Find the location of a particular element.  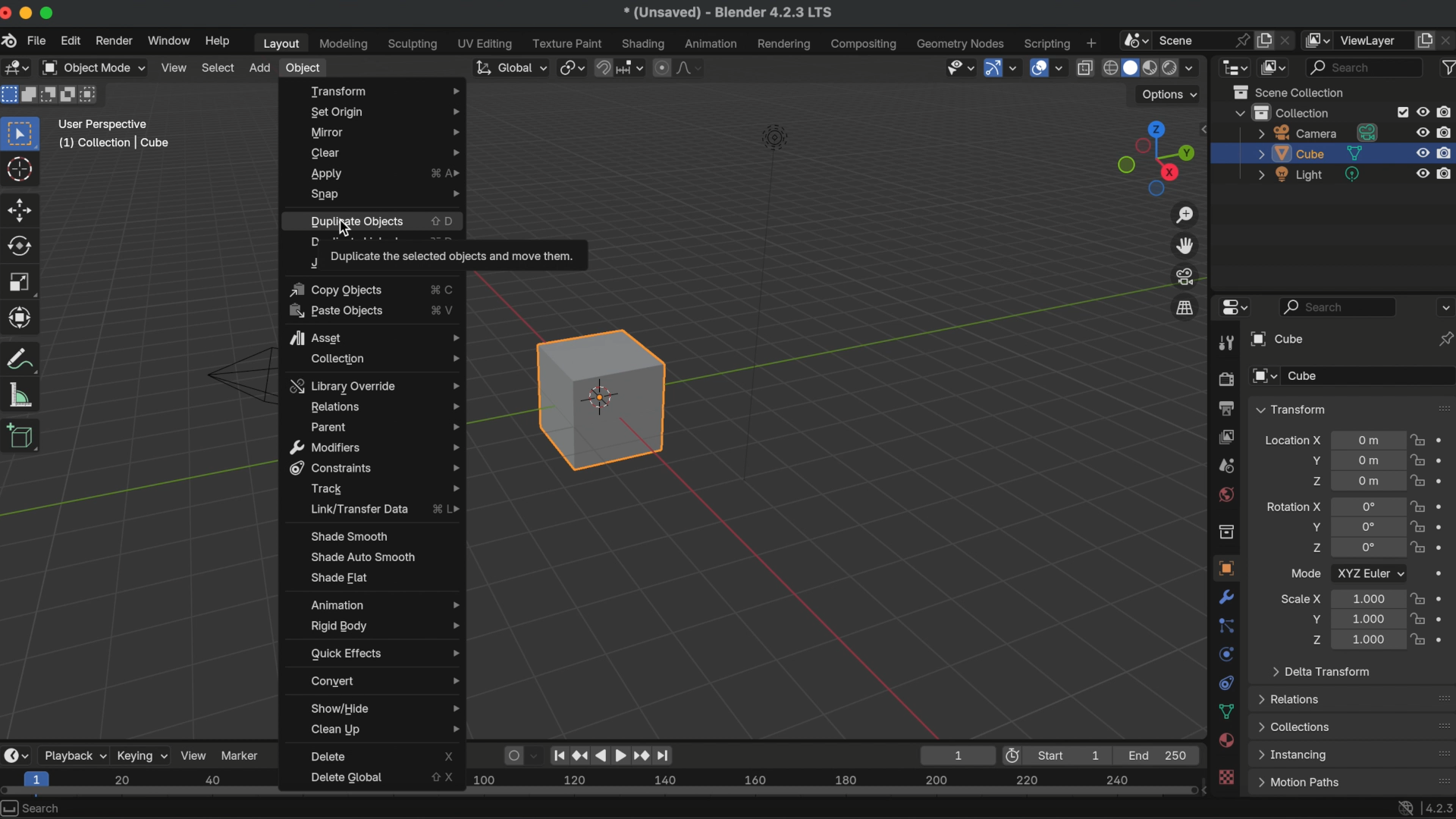

particles is located at coordinates (1227, 626).